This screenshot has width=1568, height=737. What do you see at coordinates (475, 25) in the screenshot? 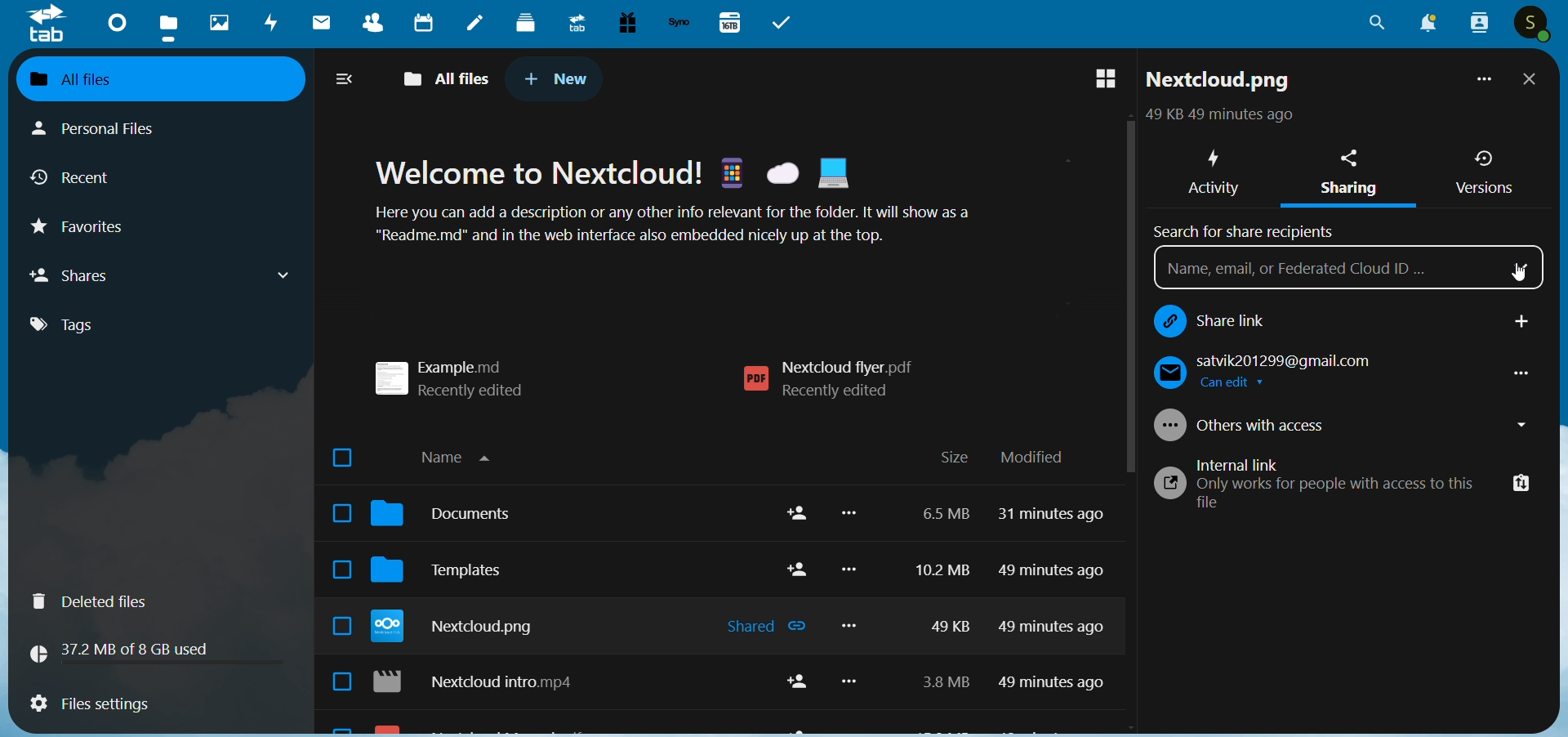
I see `notes` at bounding box center [475, 25].